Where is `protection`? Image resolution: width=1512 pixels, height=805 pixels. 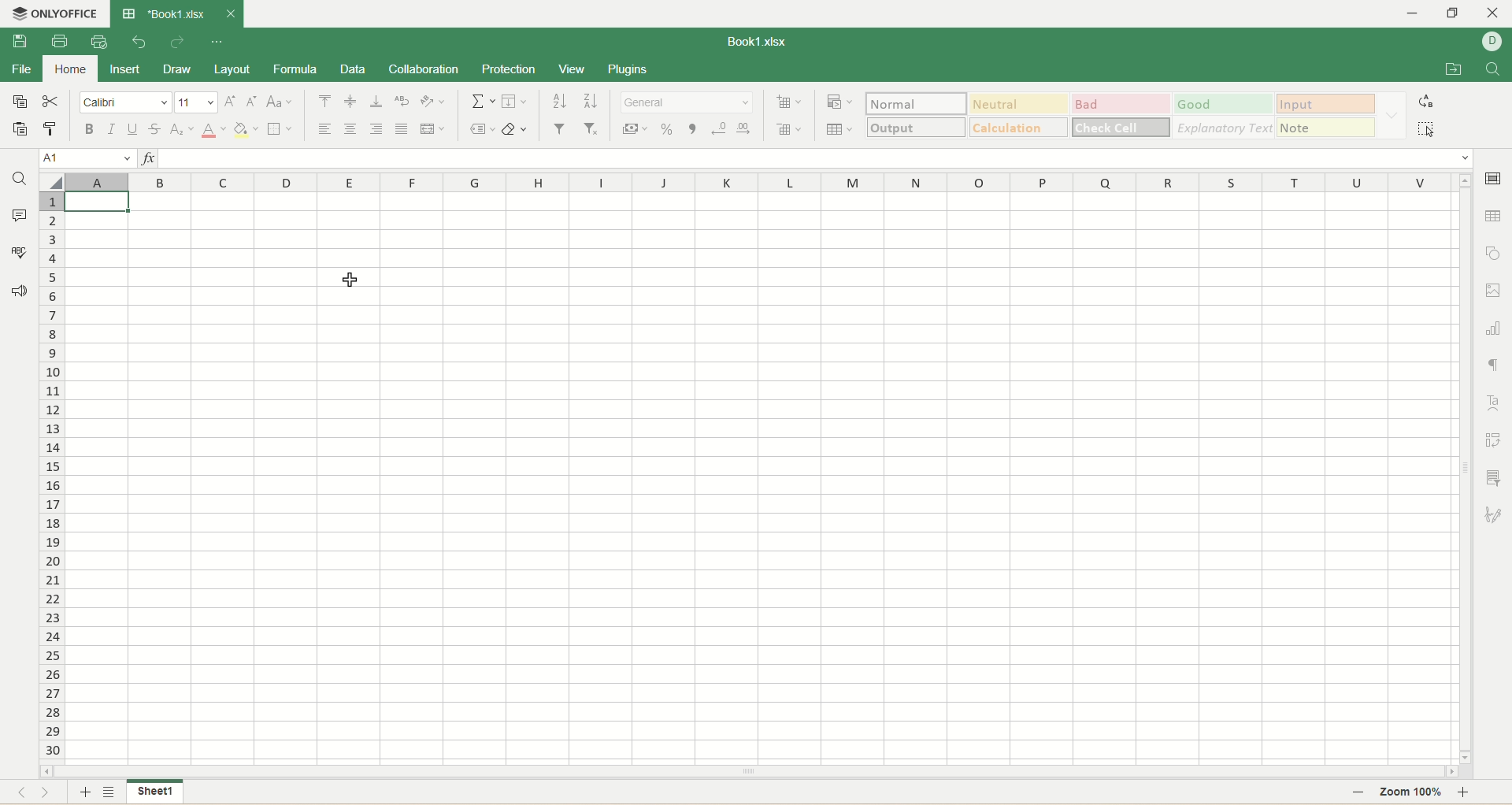 protection is located at coordinates (510, 70).